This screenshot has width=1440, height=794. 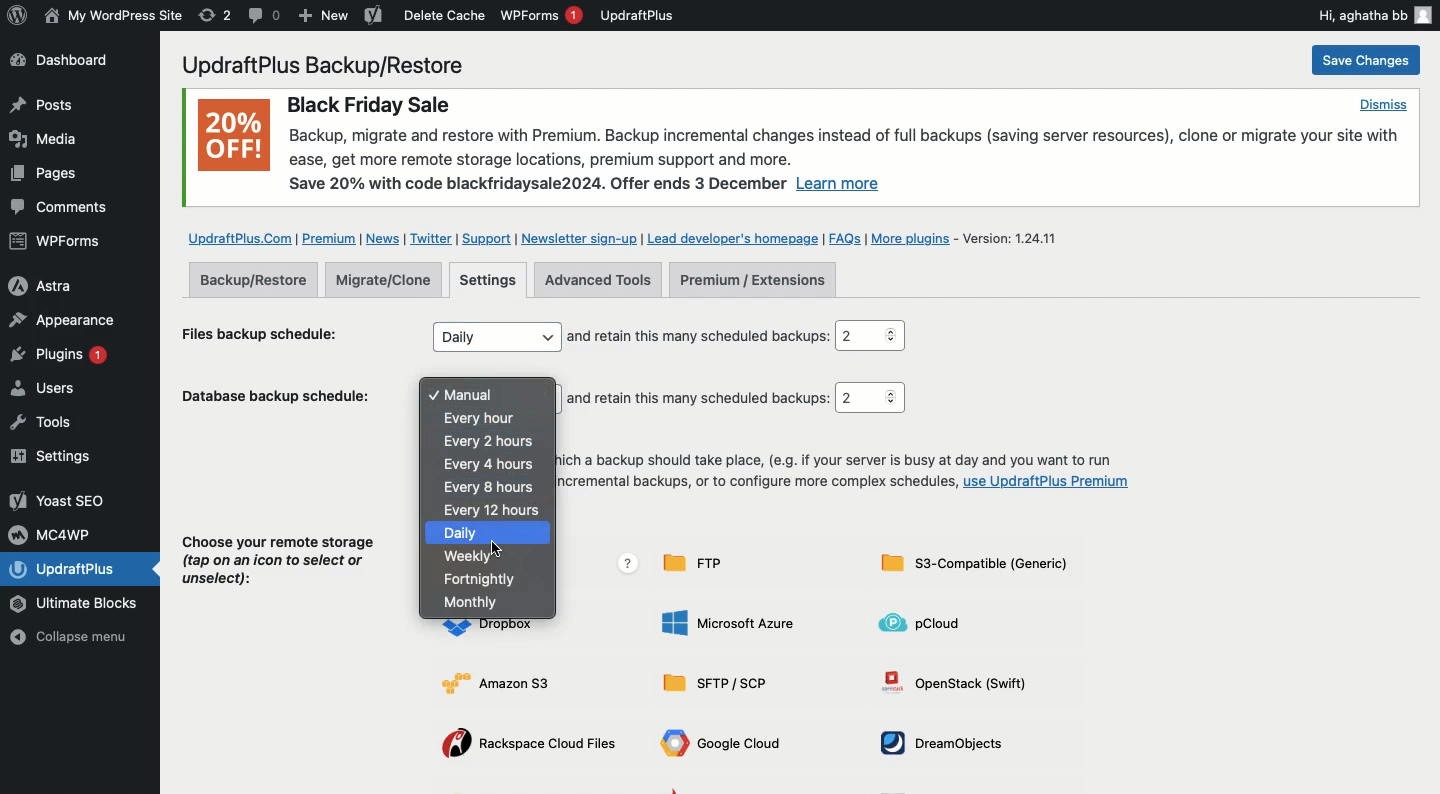 I want to click on Every hour, so click(x=478, y=415).